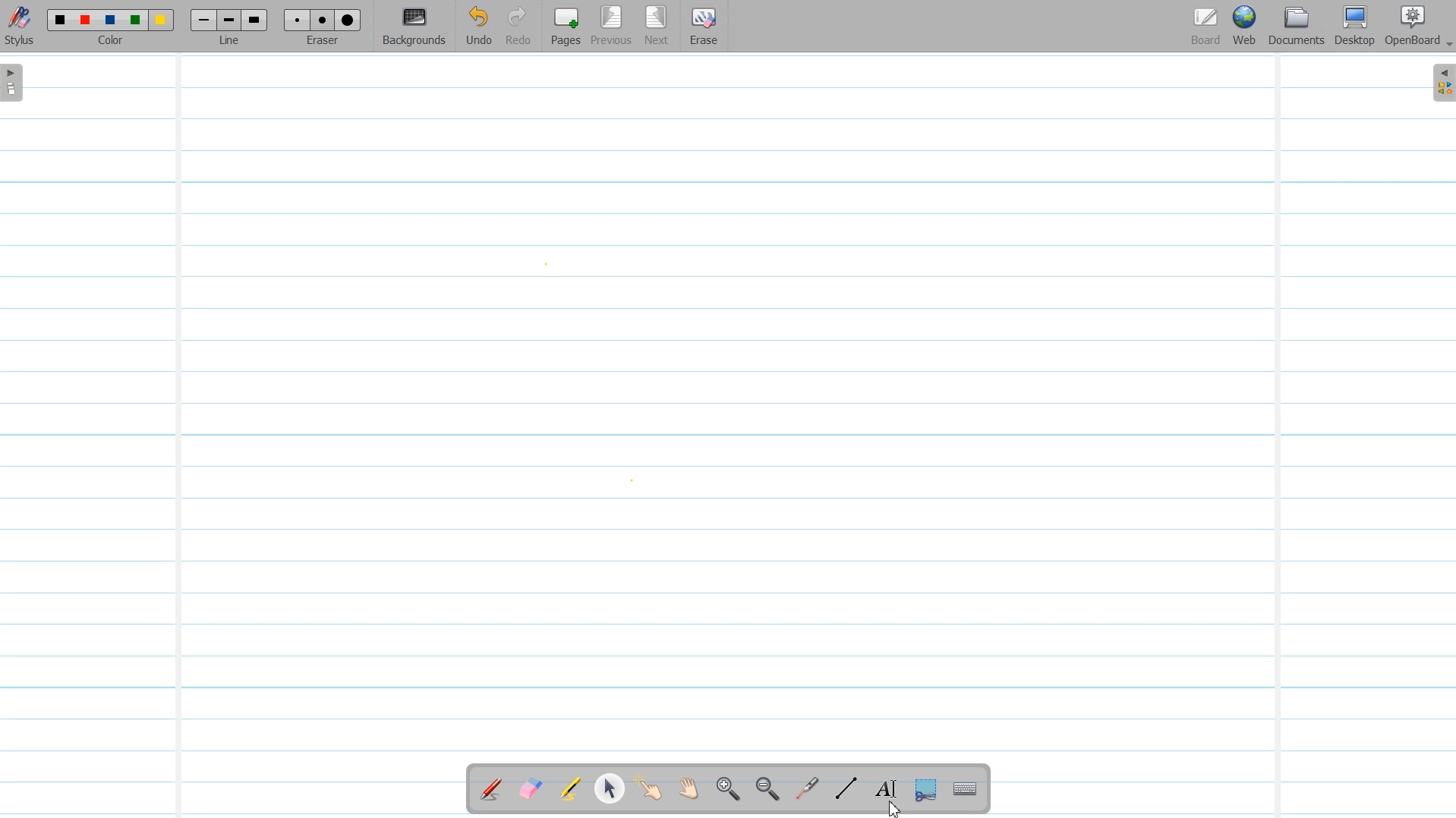 This screenshot has width=1456, height=818. Describe the element at coordinates (532, 790) in the screenshot. I see `Erase Annotation` at that location.